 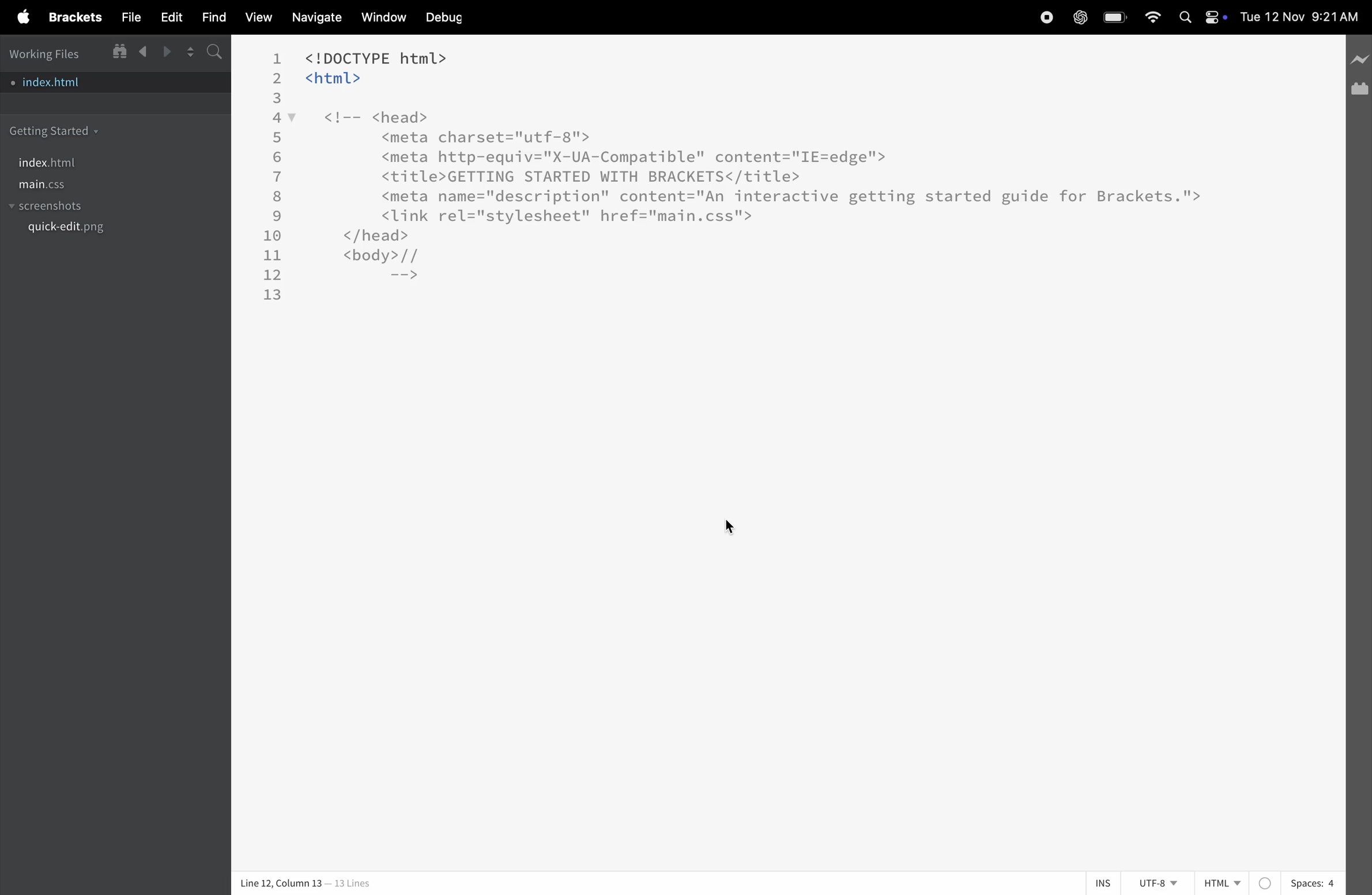 What do you see at coordinates (165, 52) in the screenshot?
I see `forward` at bounding box center [165, 52].